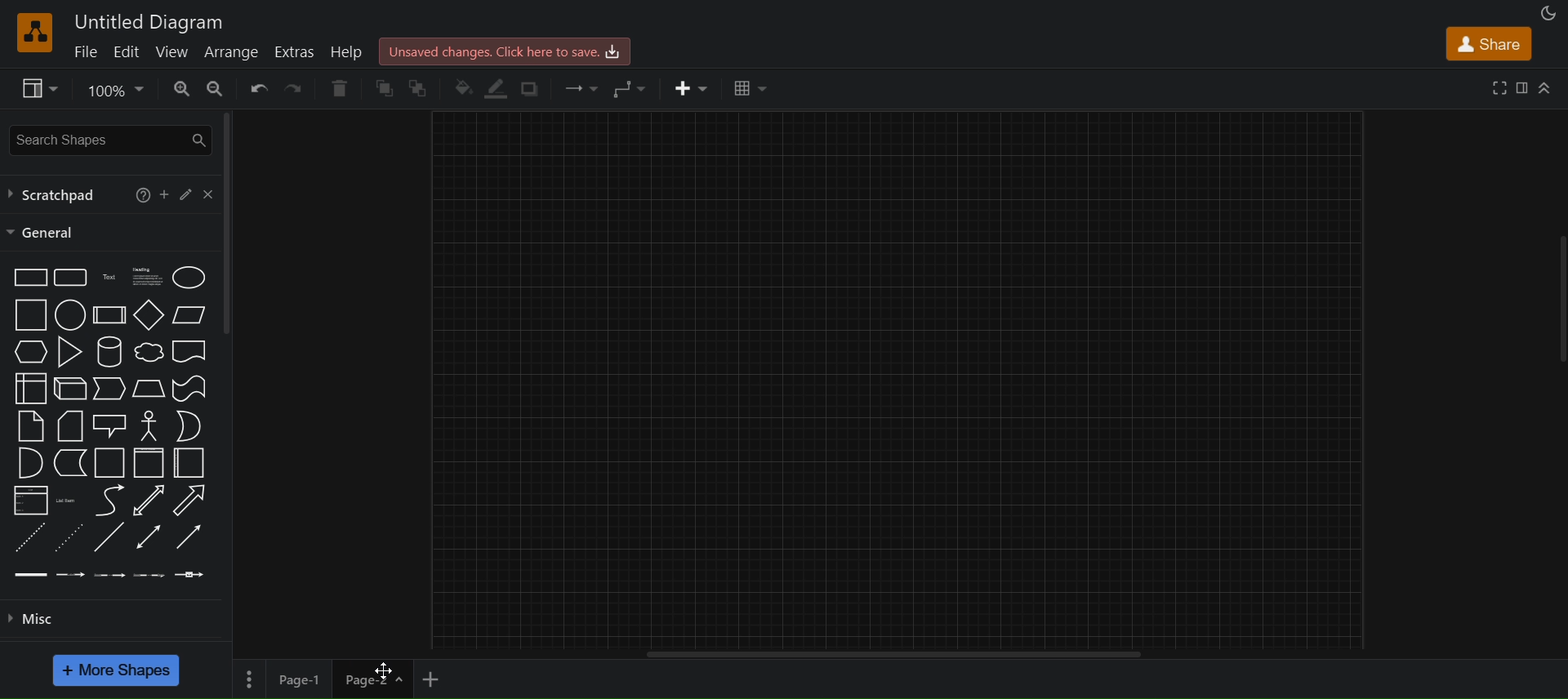 Image resolution: width=1568 pixels, height=699 pixels. What do you see at coordinates (1526, 85) in the screenshot?
I see `format` at bounding box center [1526, 85].